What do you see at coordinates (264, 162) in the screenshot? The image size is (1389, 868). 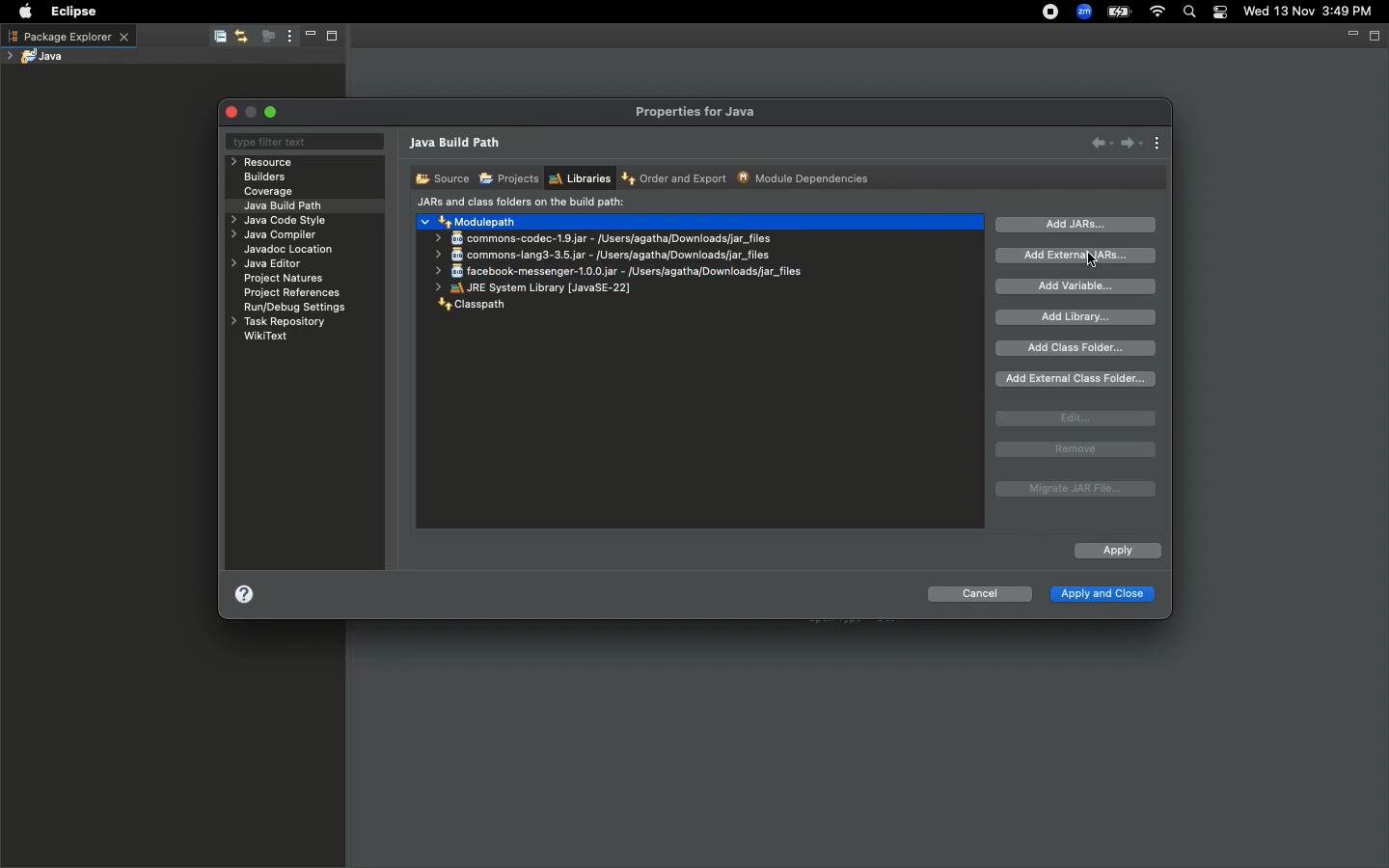 I see `Resource` at bounding box center [264, 162].